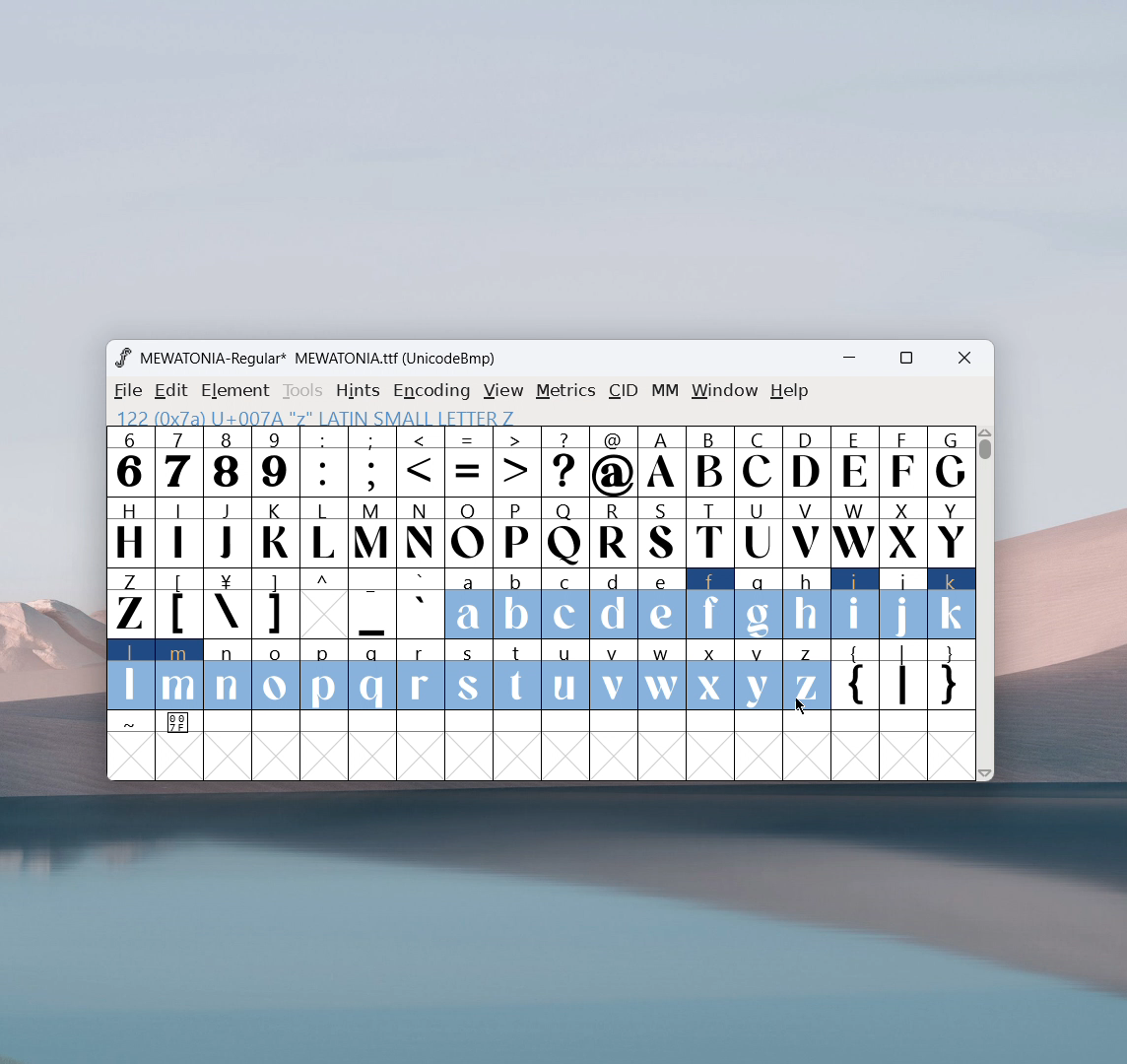  I want to click on =, so click(469, 462).